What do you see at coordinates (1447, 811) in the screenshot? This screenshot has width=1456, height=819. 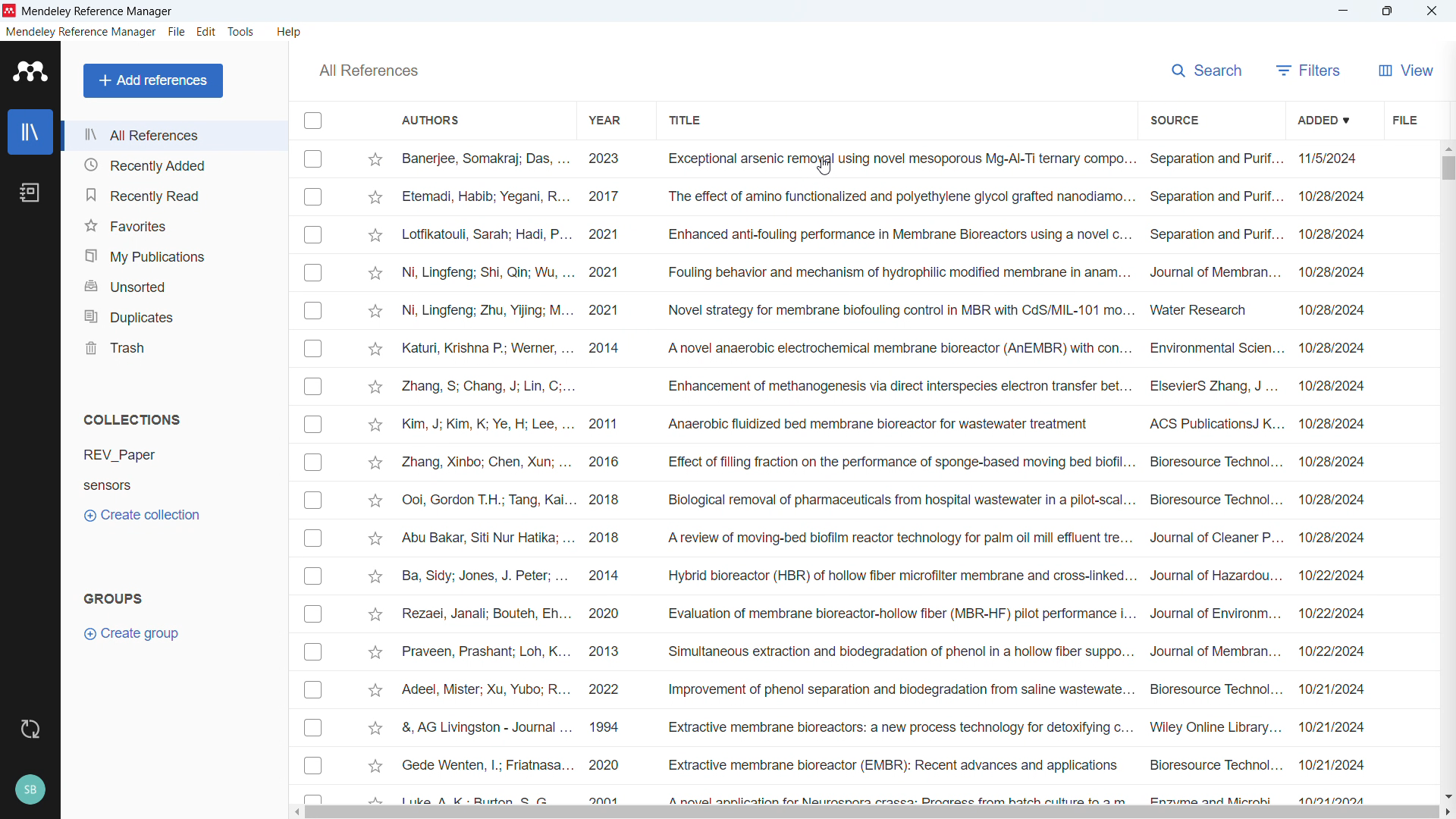 I see `Scroll right ` at bounding box center [1447, 811].